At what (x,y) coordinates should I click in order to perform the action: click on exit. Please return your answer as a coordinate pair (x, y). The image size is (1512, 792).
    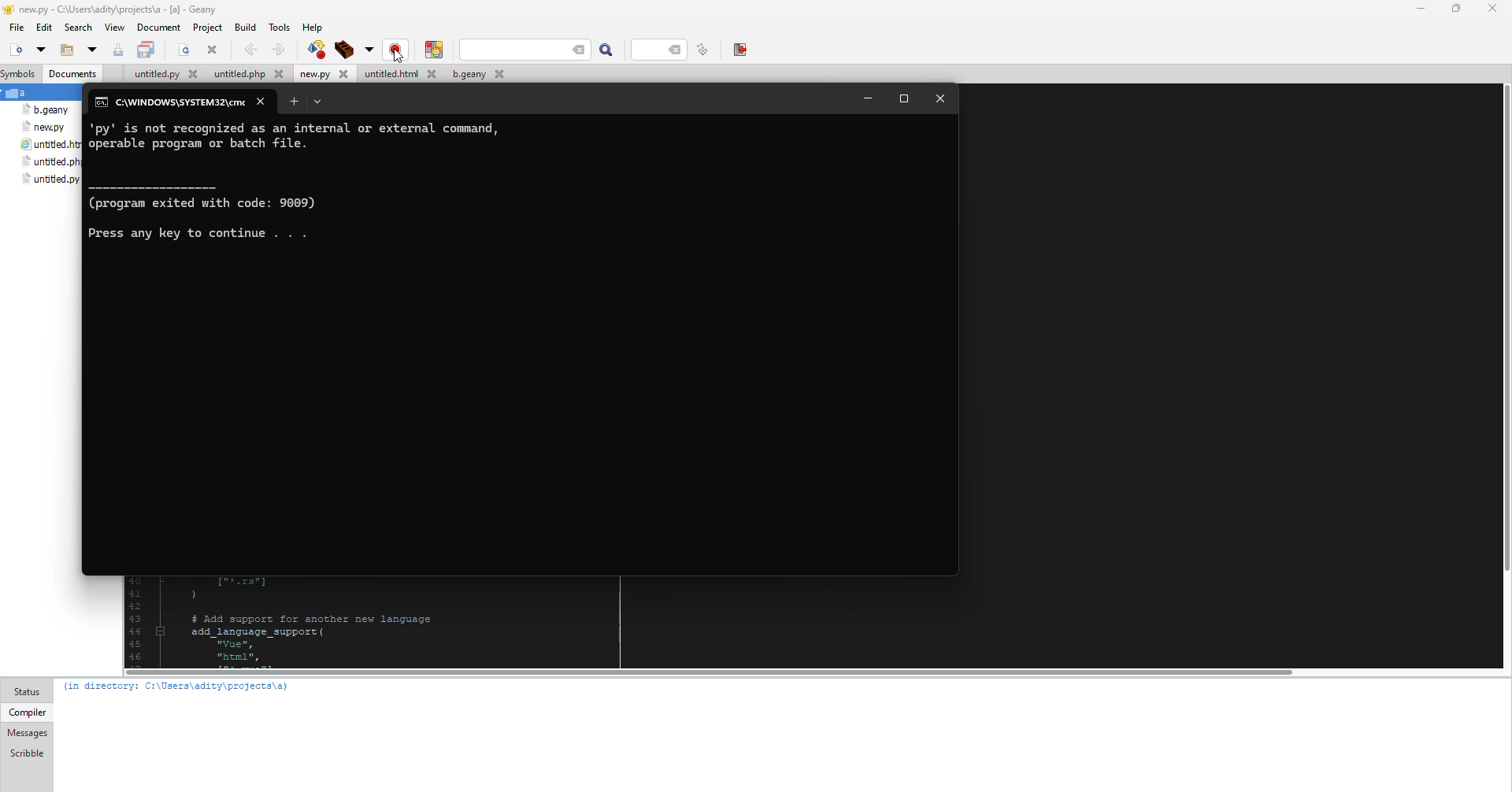
    Looking at the image, I should click on (741, 50).